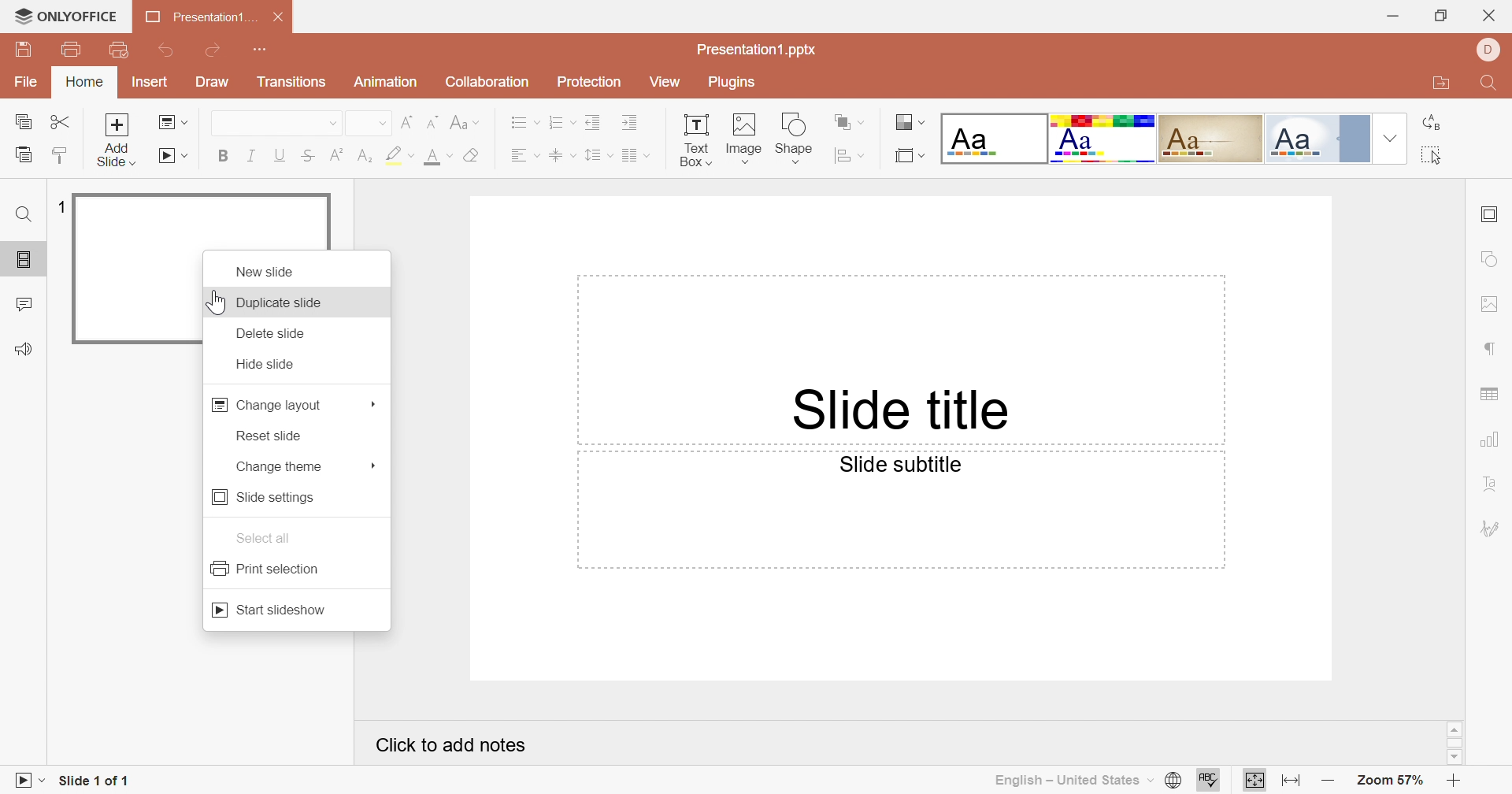 This screenshot has height=794, width=1512. What do you see at coordinates (1432, 124) in the screenshot?
I see `Replace` at bounding box center [1432, 124].